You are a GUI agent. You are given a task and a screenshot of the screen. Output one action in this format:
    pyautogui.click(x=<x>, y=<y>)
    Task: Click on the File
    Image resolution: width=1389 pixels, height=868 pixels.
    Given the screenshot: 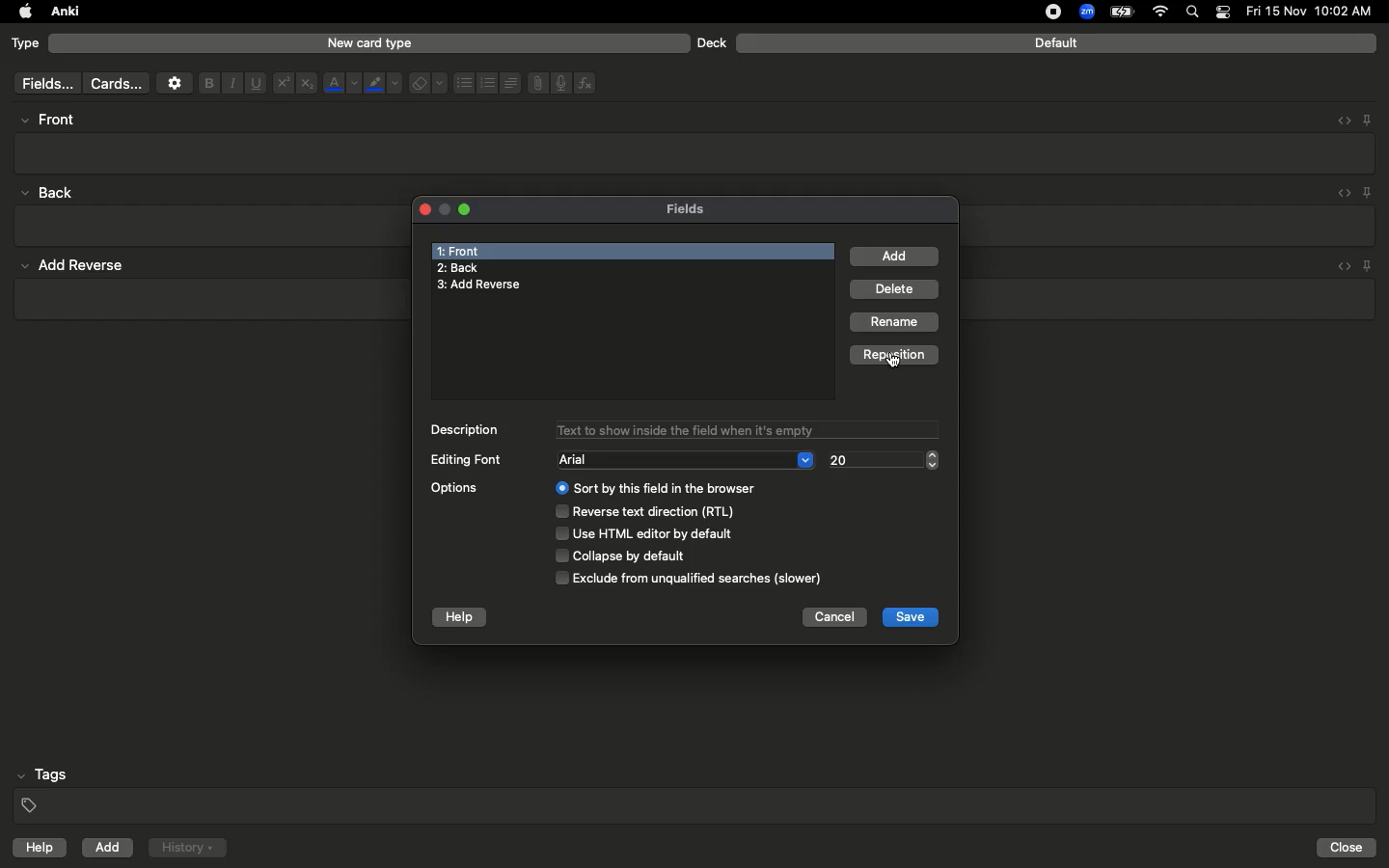 What is the action you would take?
    pyautogui.click(x=534, y=83)
    